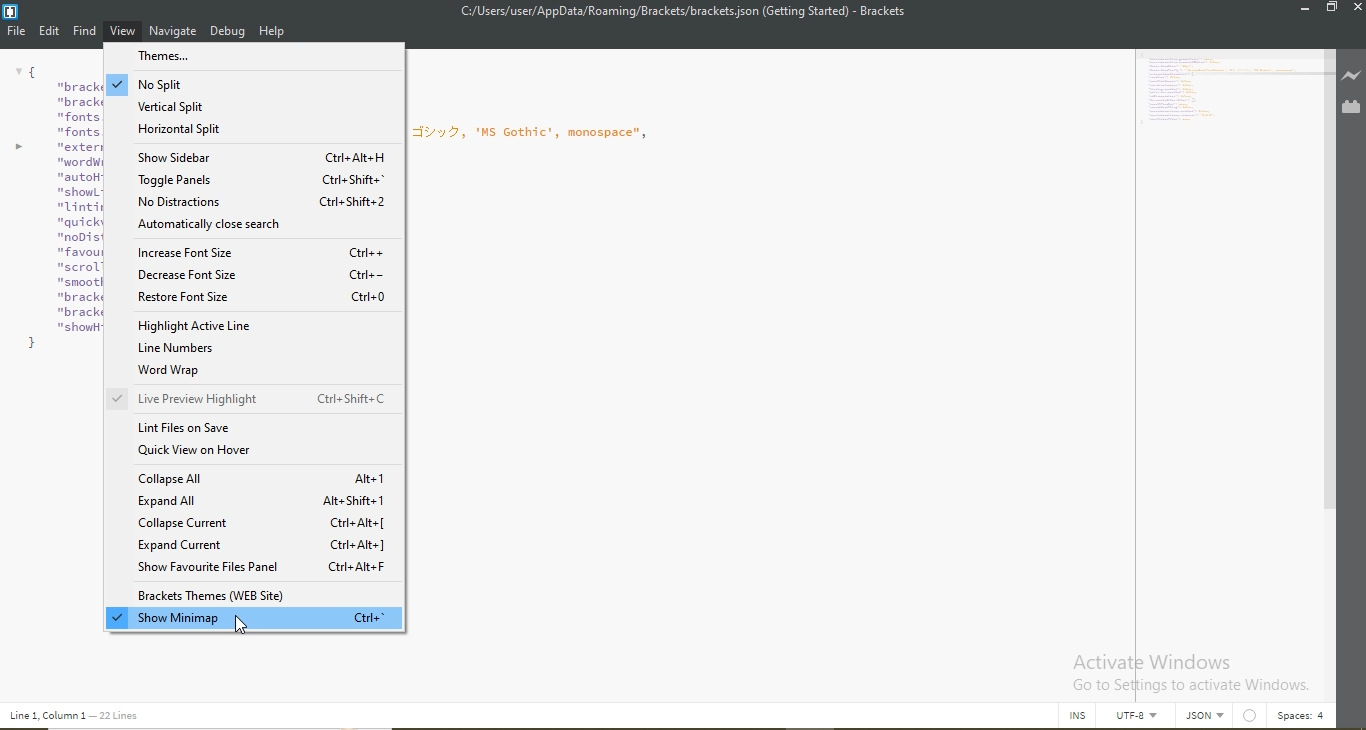 The image size is (1366, 730). I want to click on Navigate, so click(174, 31).